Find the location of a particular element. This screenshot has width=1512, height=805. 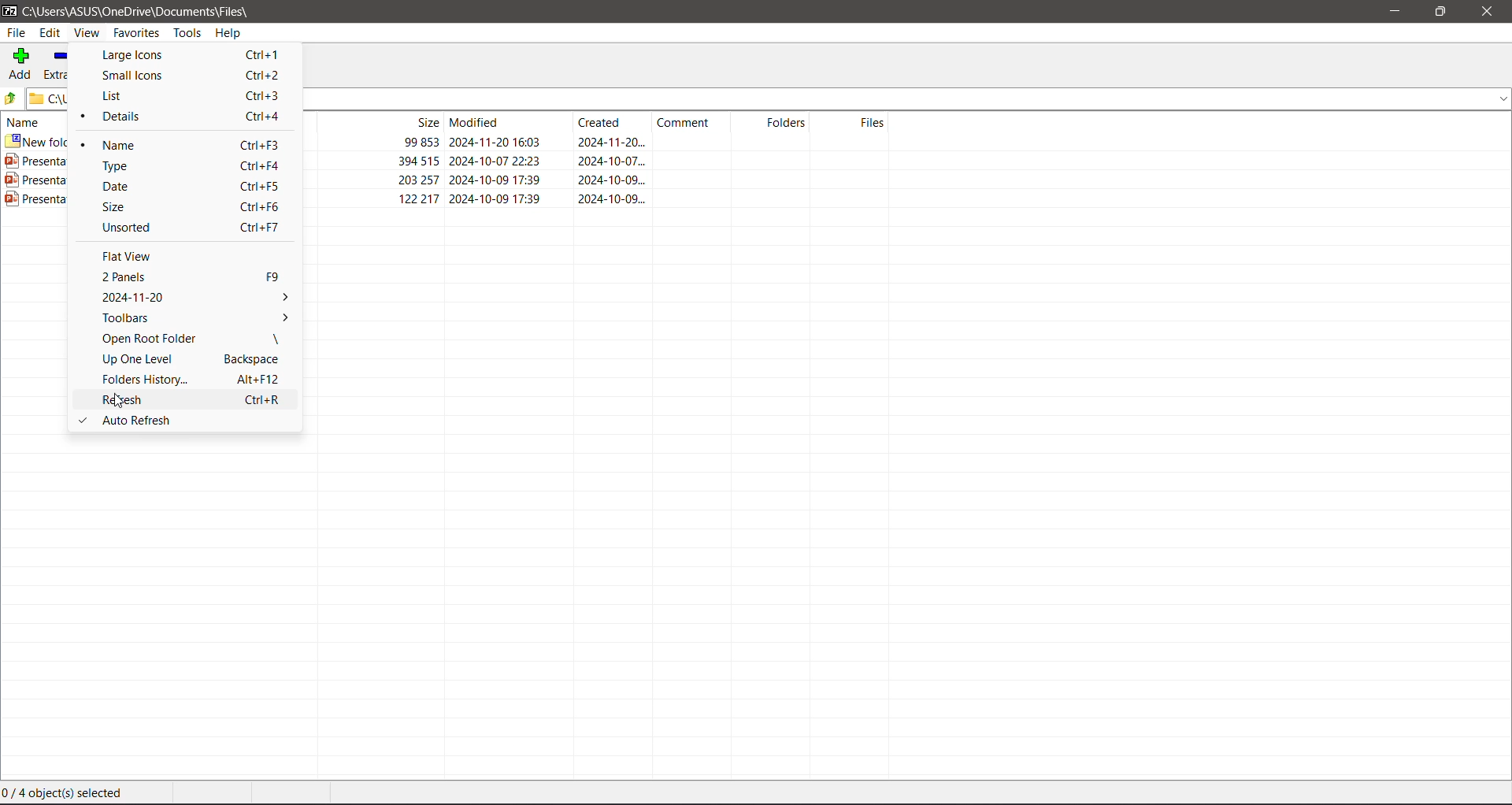

Current Folder Path is located at coordinates (140, 9).